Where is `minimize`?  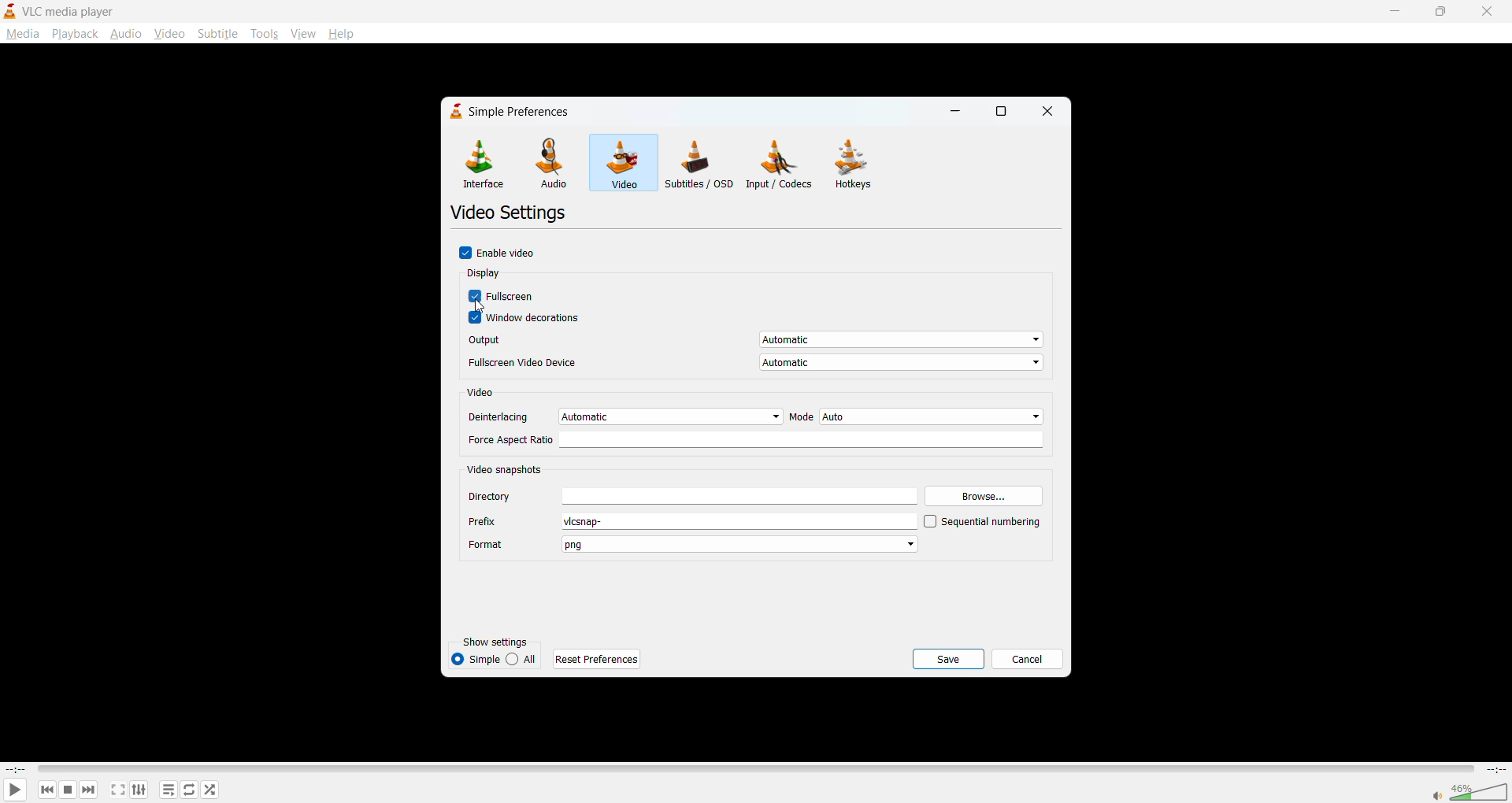
minimize is located at coordinates (958, 111).